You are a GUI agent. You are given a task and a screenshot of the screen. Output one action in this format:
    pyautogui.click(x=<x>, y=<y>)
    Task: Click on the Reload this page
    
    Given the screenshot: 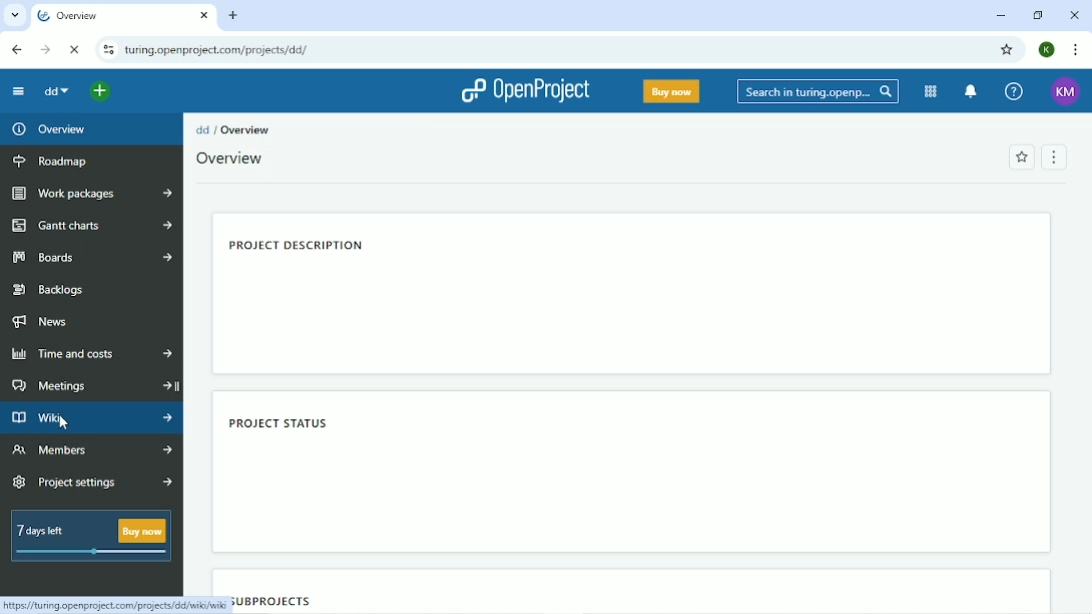 What is the action you would take?
    pyautogui.click(x=74, y=50)
    